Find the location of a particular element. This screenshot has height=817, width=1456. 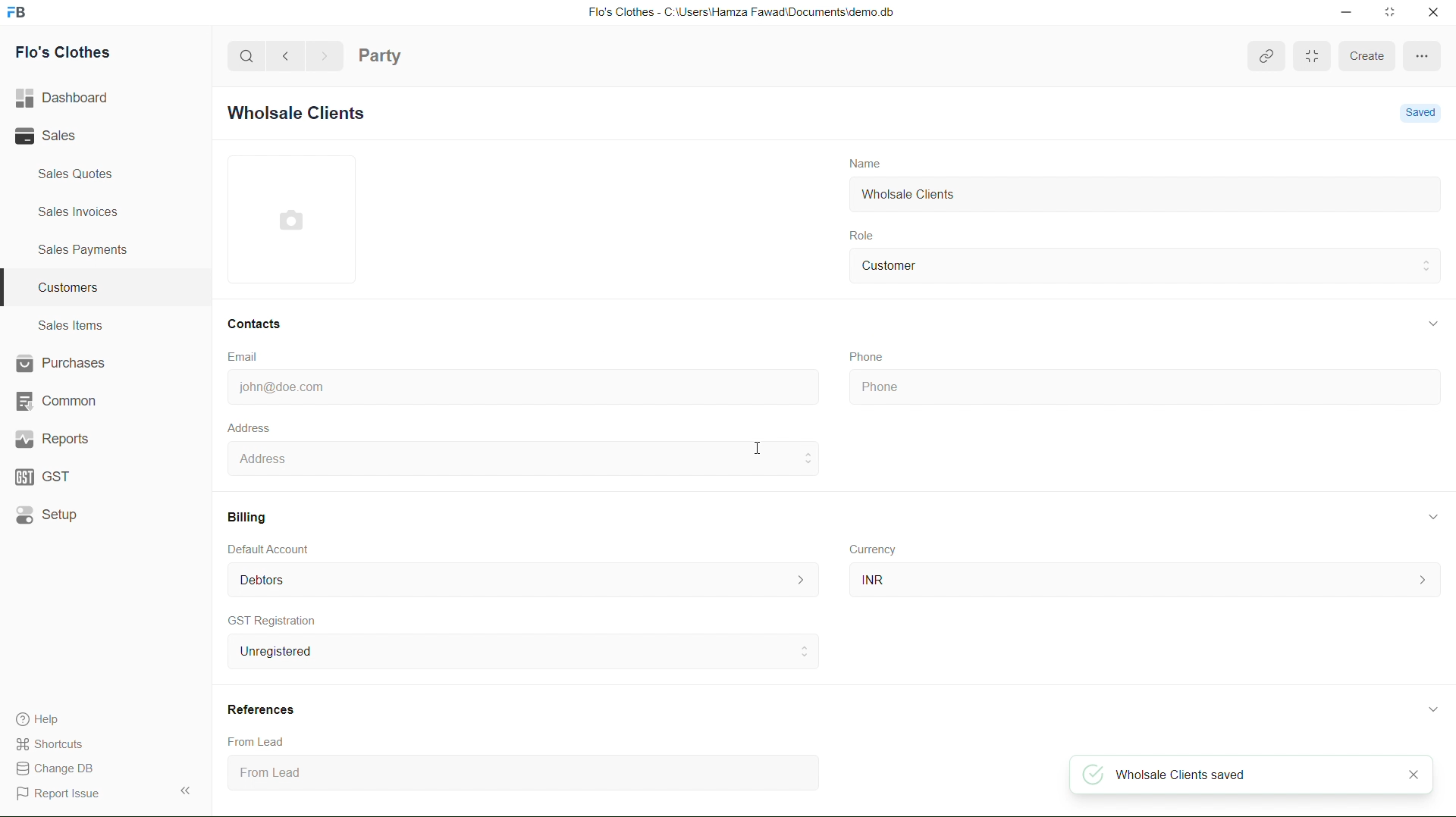

Sales is located at coordinates (53, 137).